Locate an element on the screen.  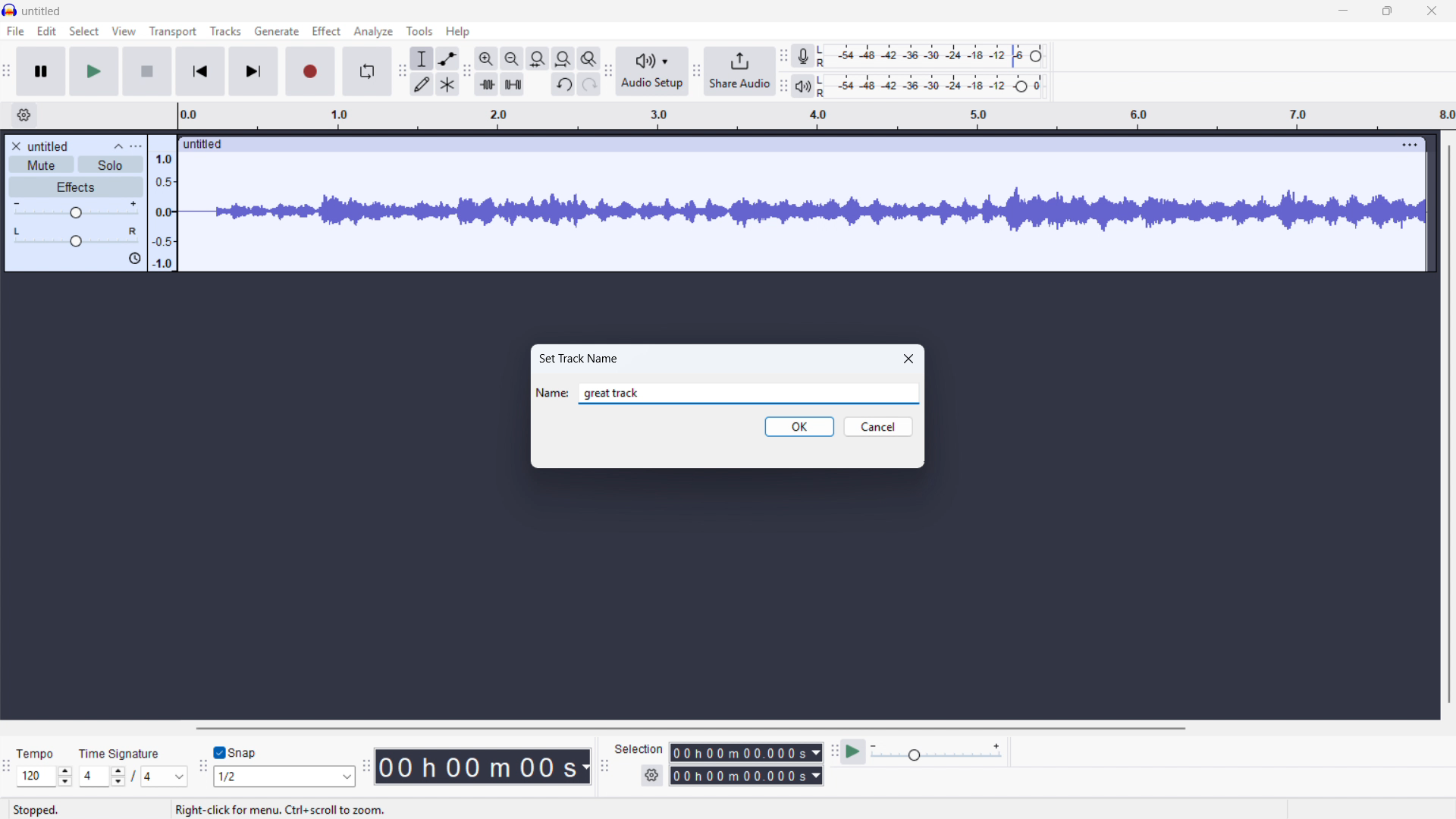
Selection end time is located at coordinates (745, 776).